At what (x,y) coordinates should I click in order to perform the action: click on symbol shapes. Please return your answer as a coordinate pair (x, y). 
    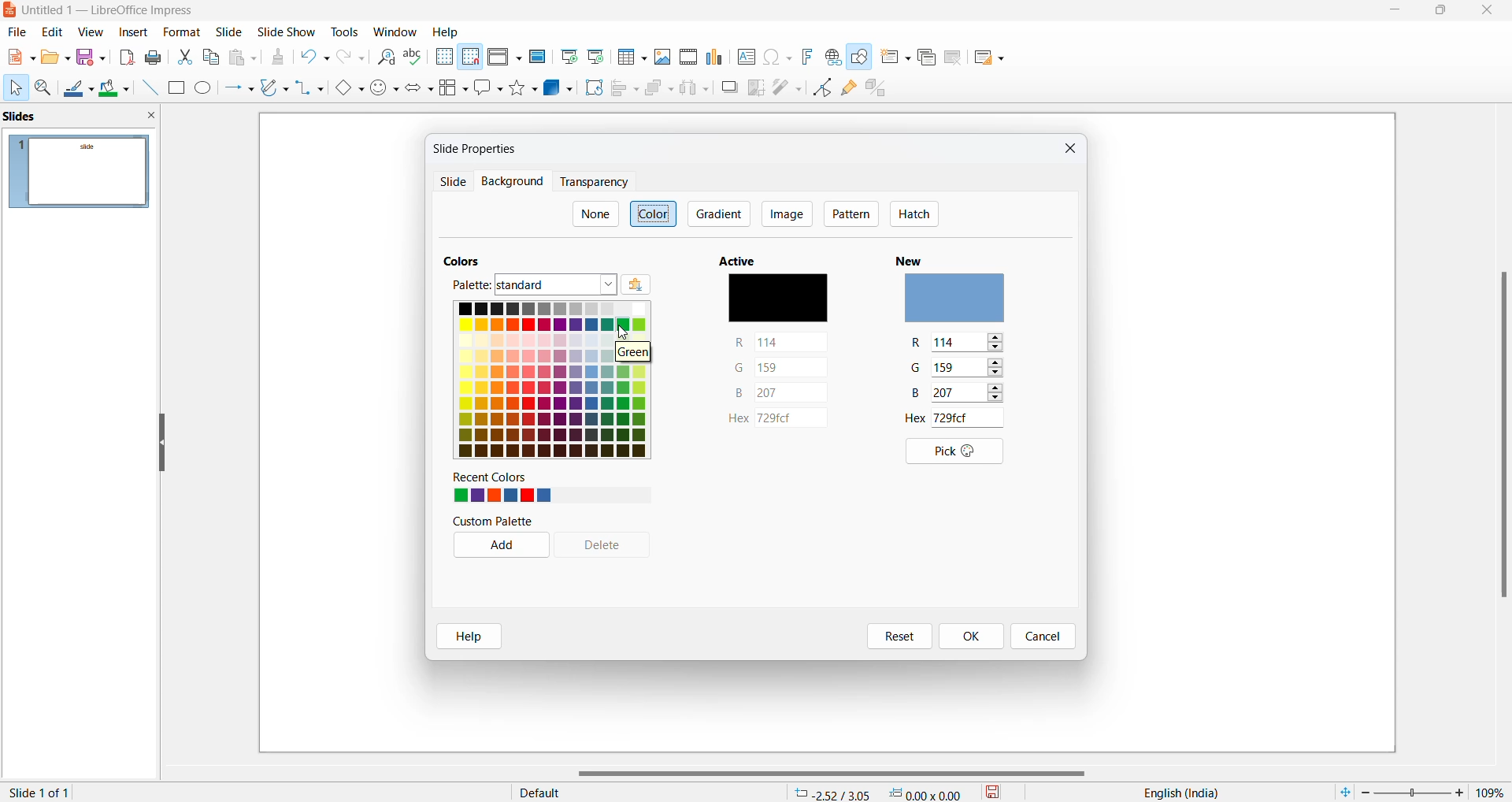
    Looking at the image, I should click on (385, 89).